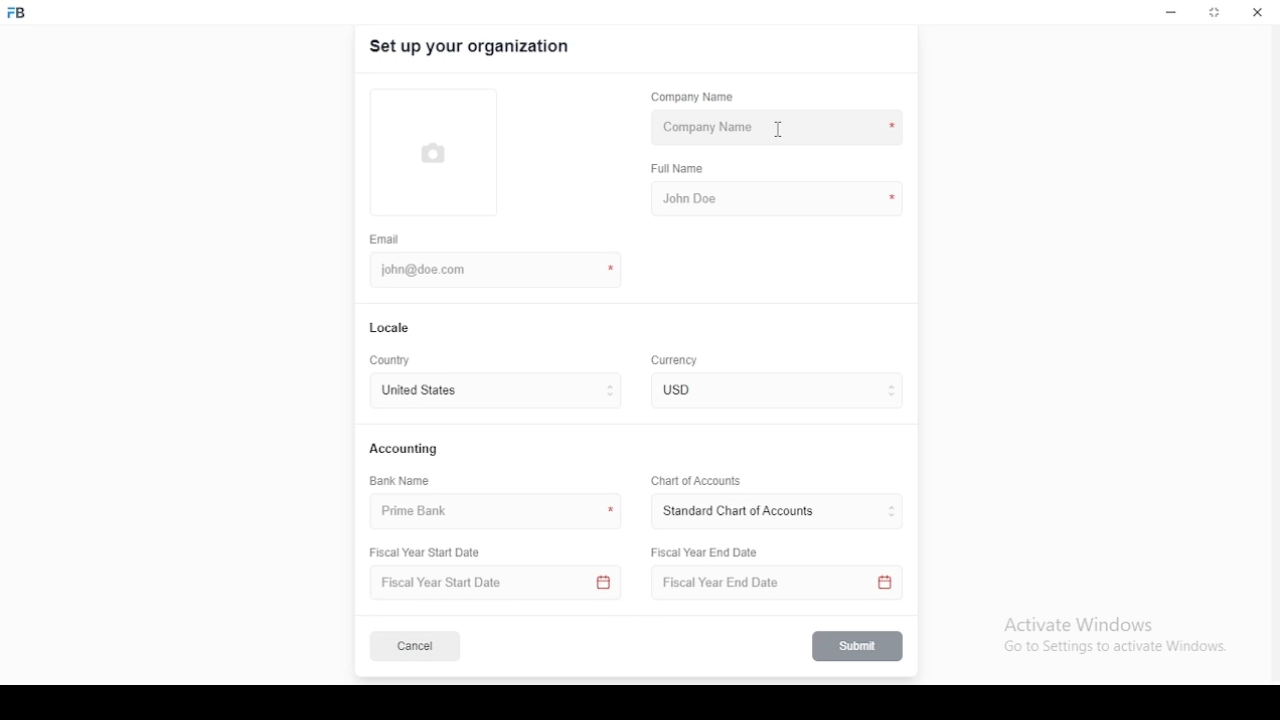  What do you see at coordinates (415, 647) in the screenshot?
I see `cancel` at bounding box center [415, 647].